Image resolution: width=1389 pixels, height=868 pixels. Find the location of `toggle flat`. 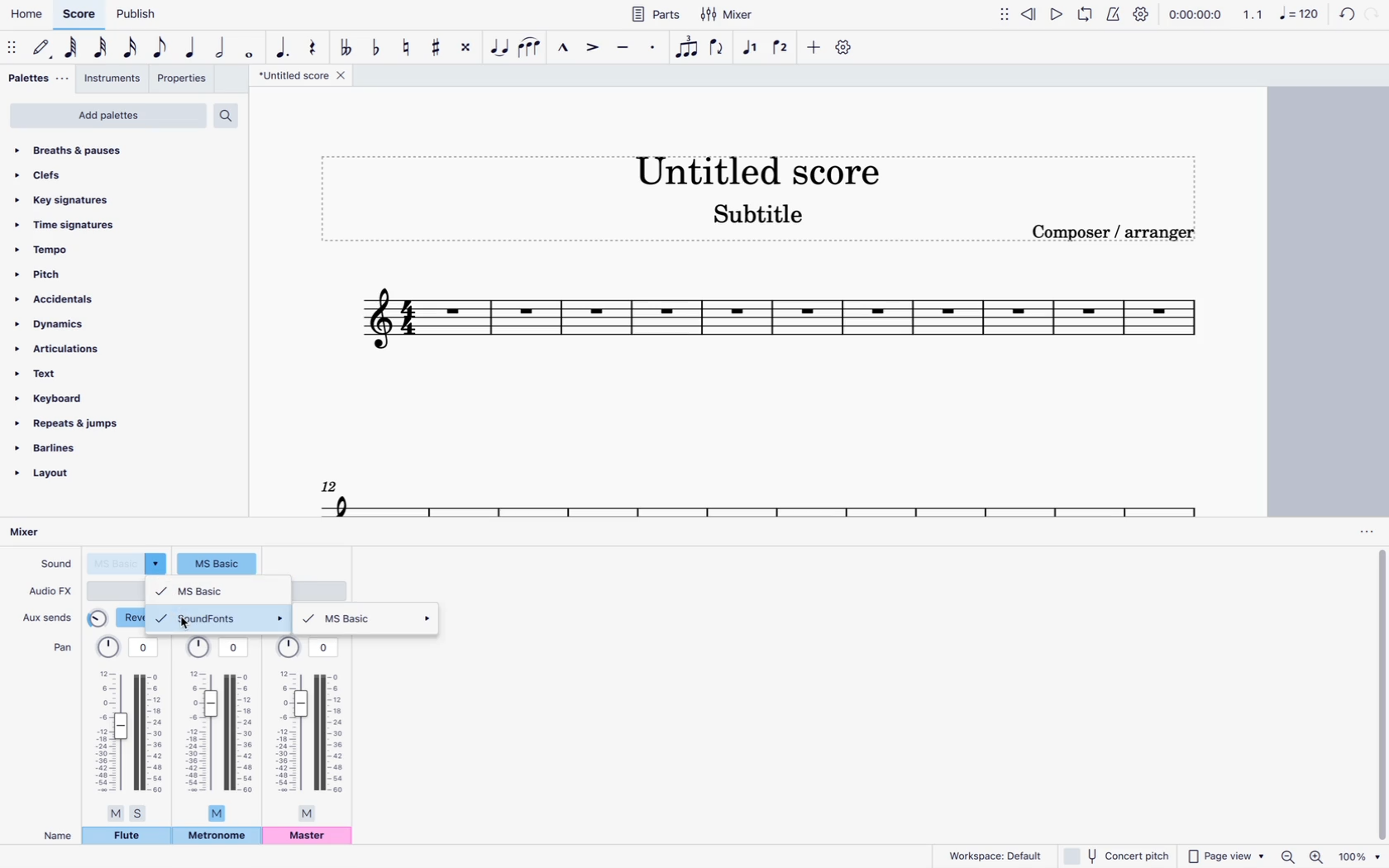

toggle flat is located at coordinates (376, 46).